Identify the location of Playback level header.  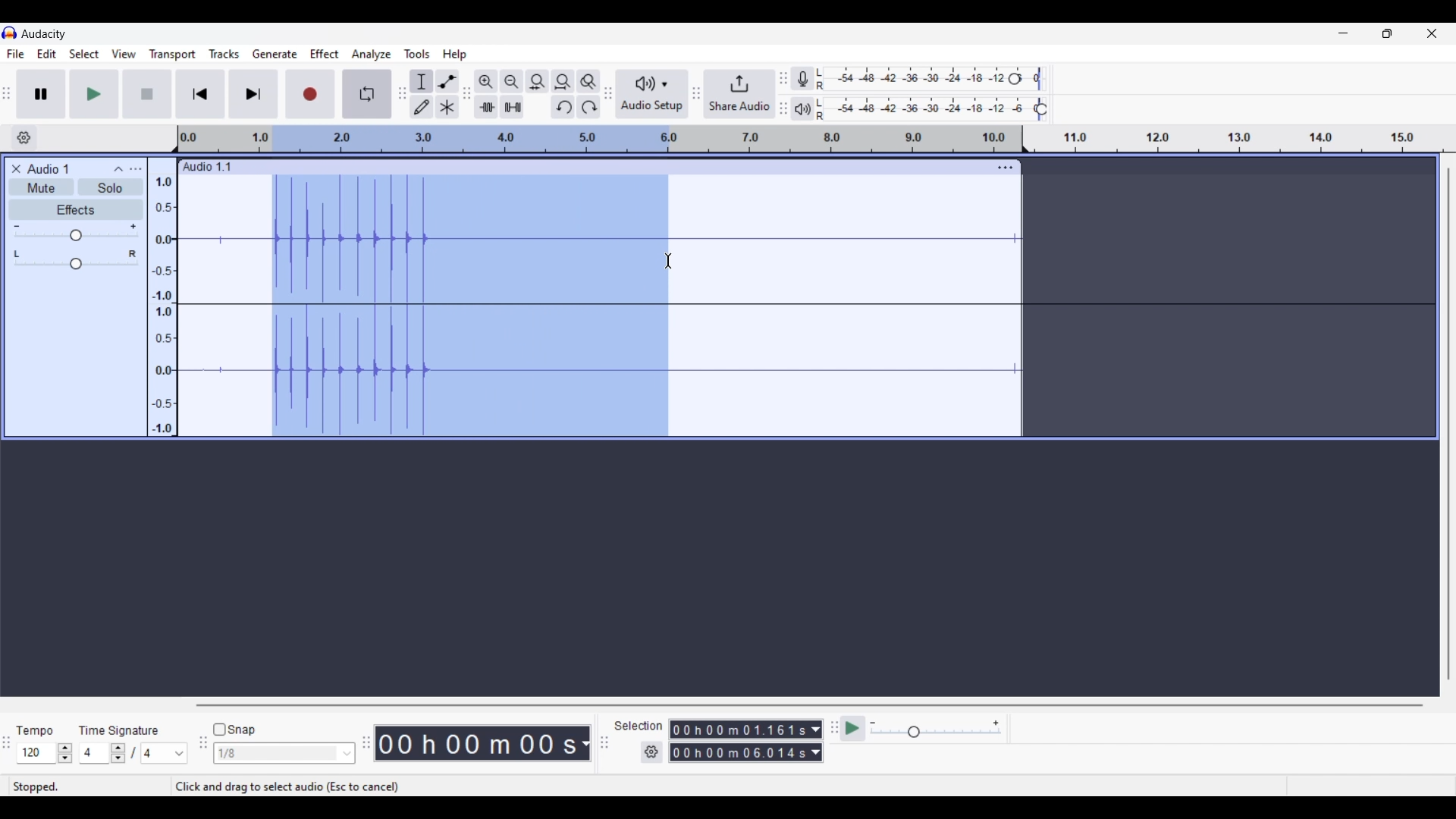
(1041, 109).